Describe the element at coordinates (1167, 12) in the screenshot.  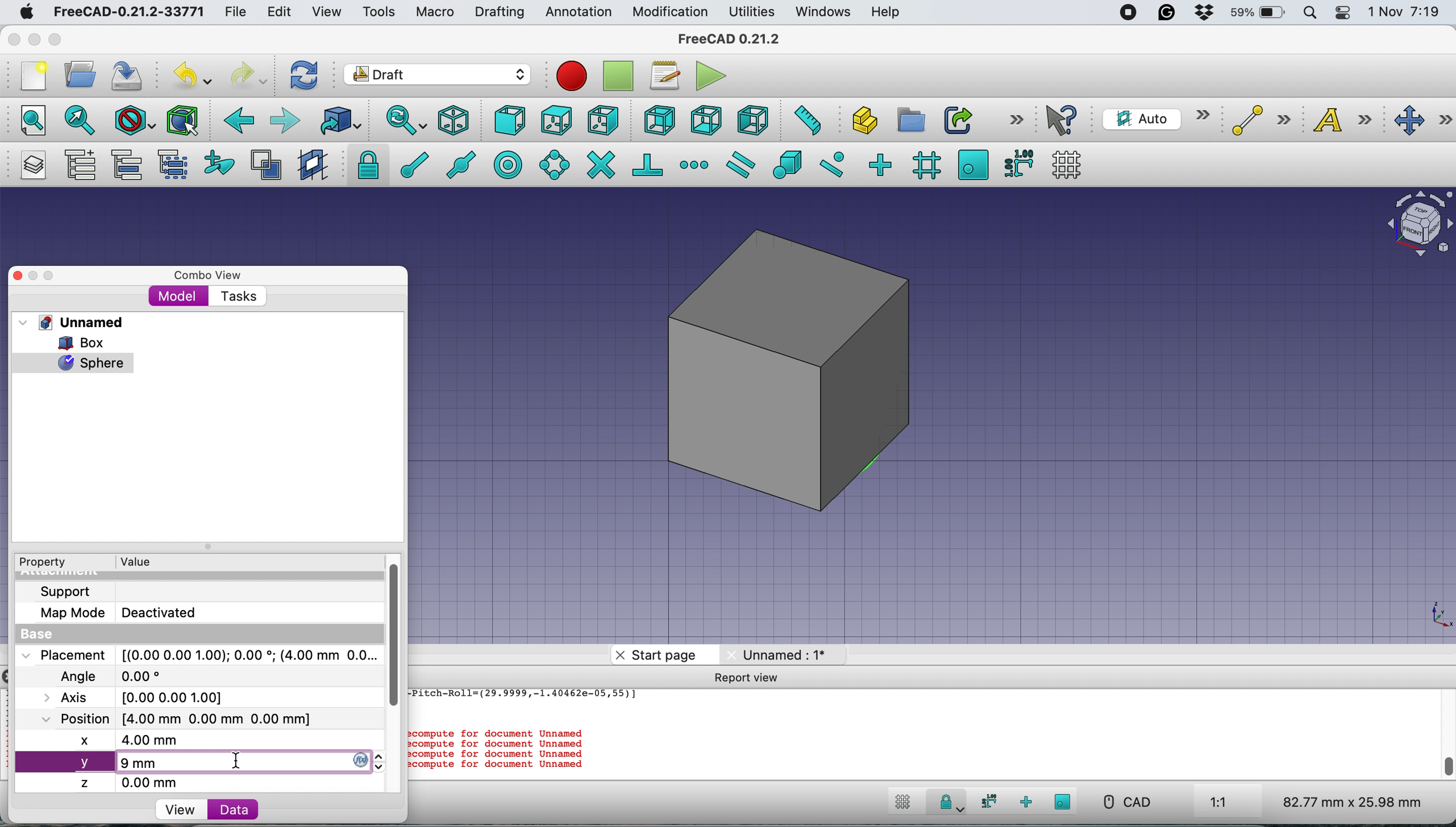
I see `grammarly` at that location.